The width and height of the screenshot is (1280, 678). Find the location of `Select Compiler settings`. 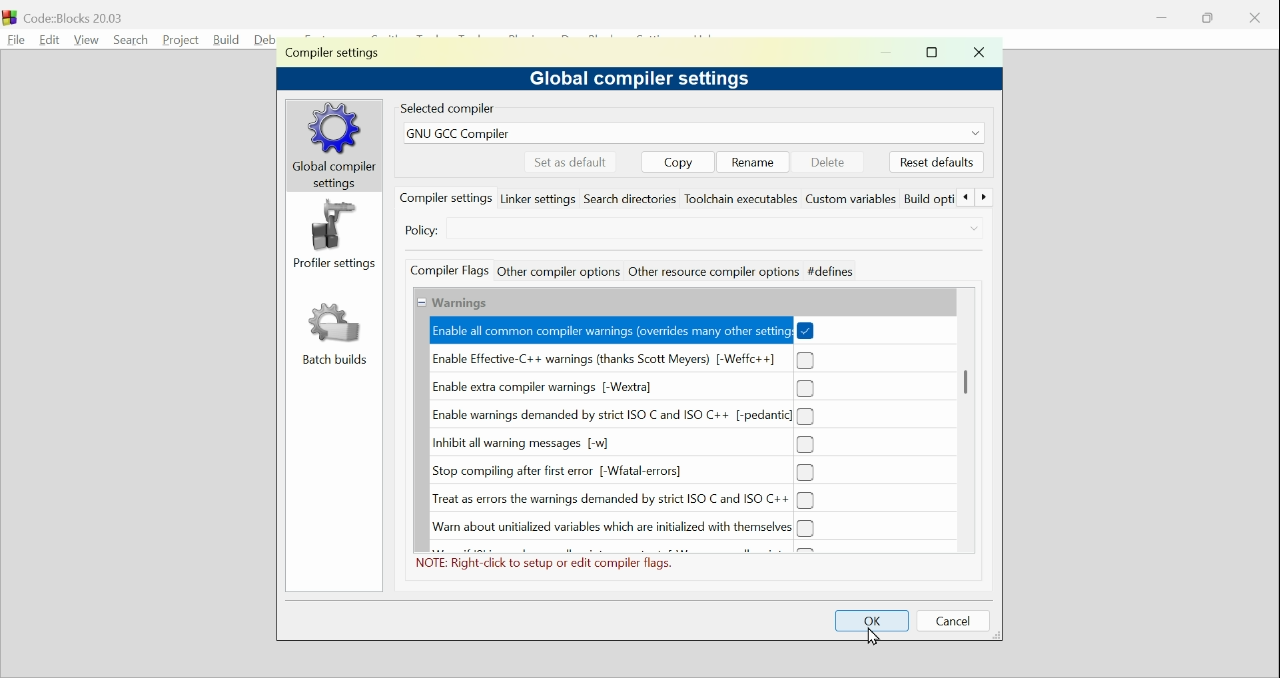

Select Compiler settings is located at coordinates (690, 233).